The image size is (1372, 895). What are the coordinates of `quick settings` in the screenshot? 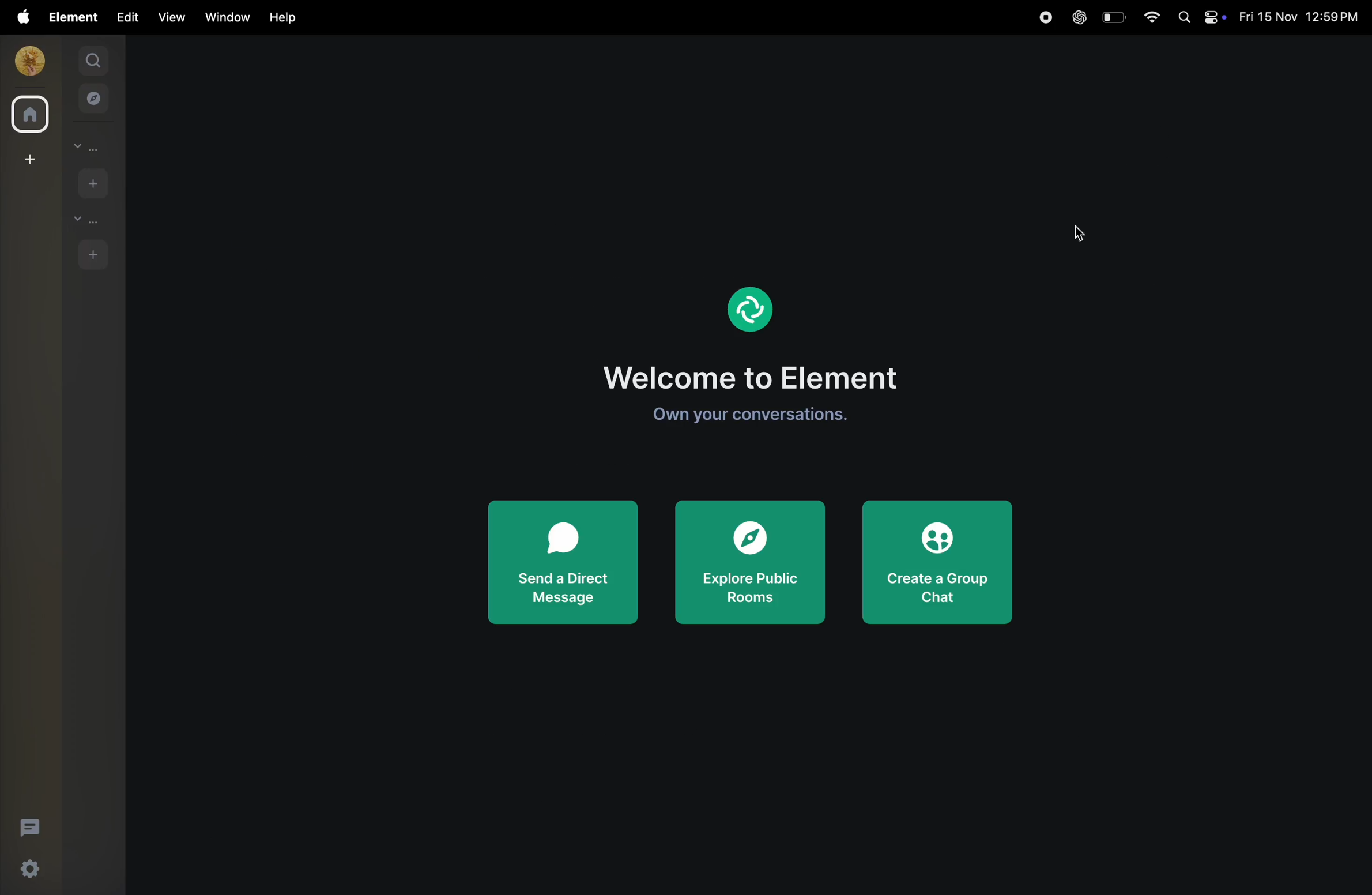 It's located at (37, 869).